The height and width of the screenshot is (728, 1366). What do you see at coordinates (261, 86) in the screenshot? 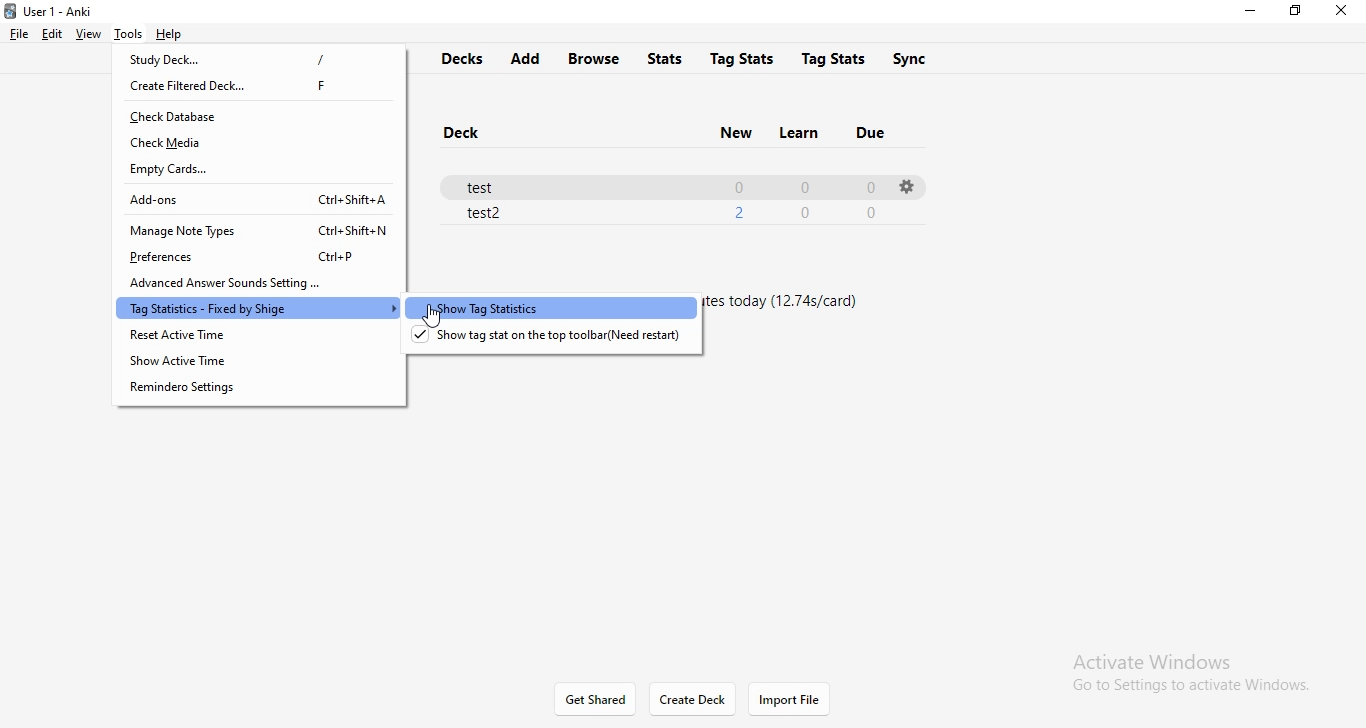
I see `create filtered deck` at bounding box center [261, 86].